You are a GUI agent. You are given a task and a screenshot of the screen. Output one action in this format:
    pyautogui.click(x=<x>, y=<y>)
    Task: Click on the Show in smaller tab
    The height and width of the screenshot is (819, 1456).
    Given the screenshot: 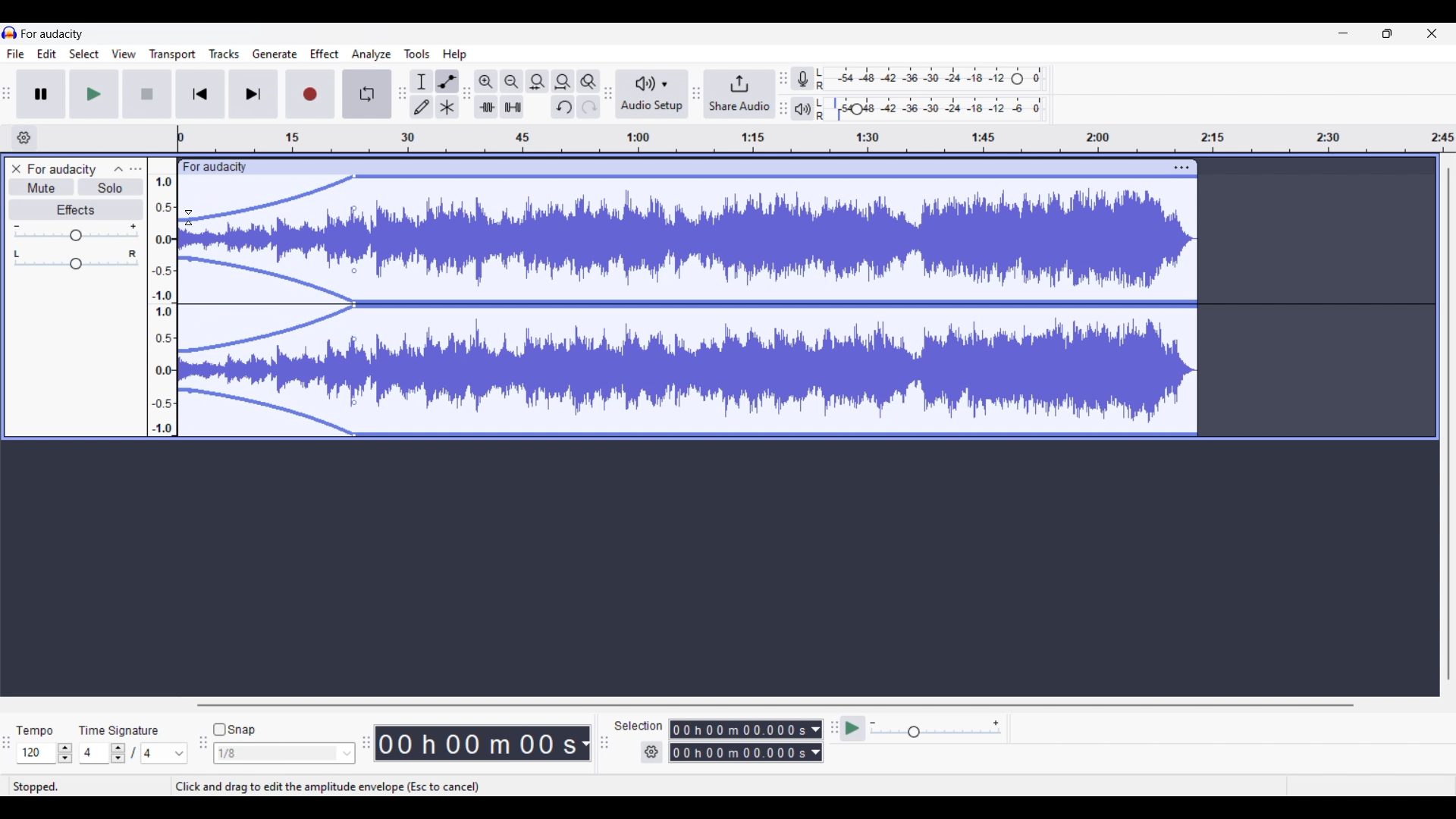 What is the action you would take?
    pyautogui.click(x=1388, y=33)
    